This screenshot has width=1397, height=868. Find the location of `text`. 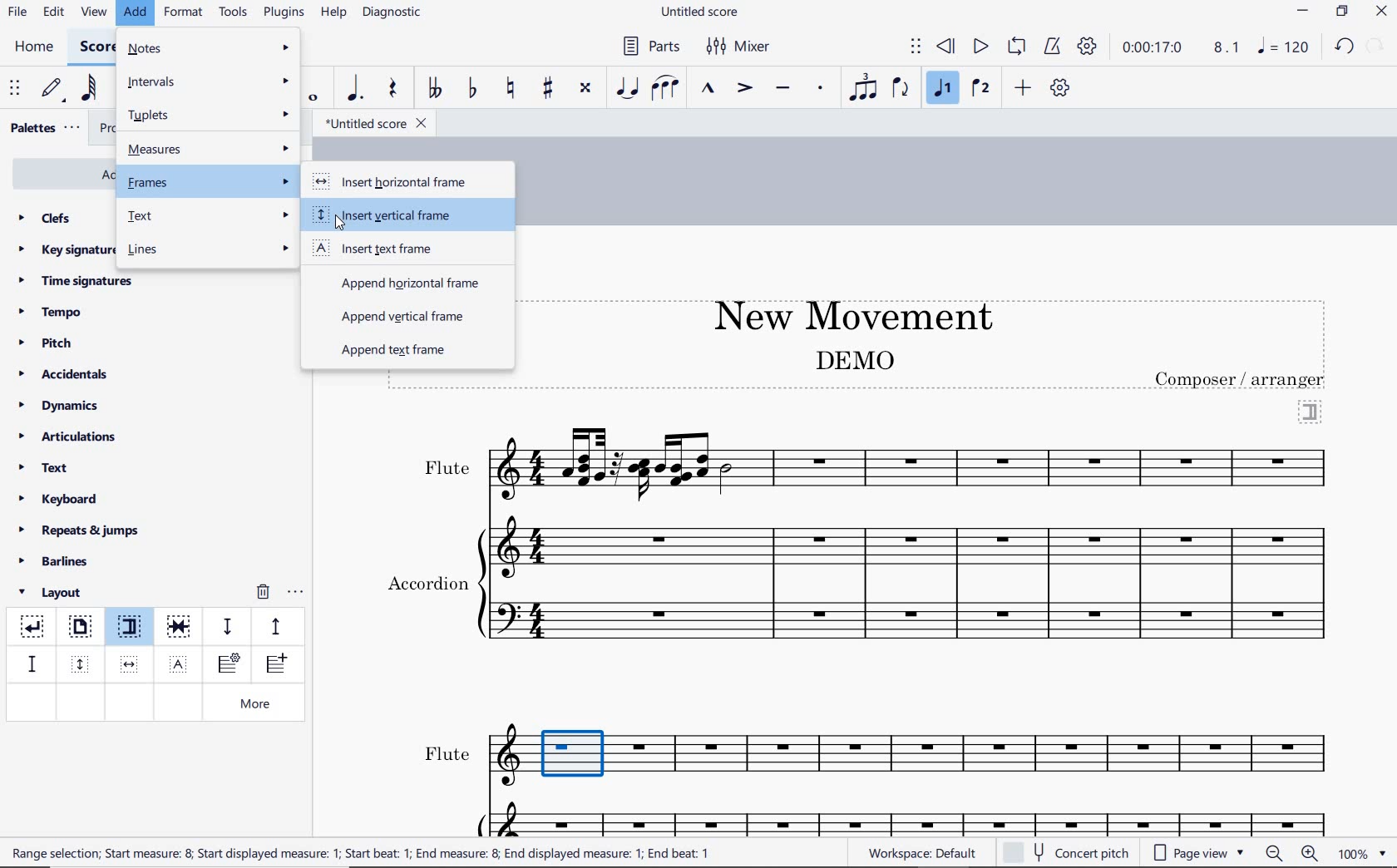

text is located at coordinates (1242, 379).